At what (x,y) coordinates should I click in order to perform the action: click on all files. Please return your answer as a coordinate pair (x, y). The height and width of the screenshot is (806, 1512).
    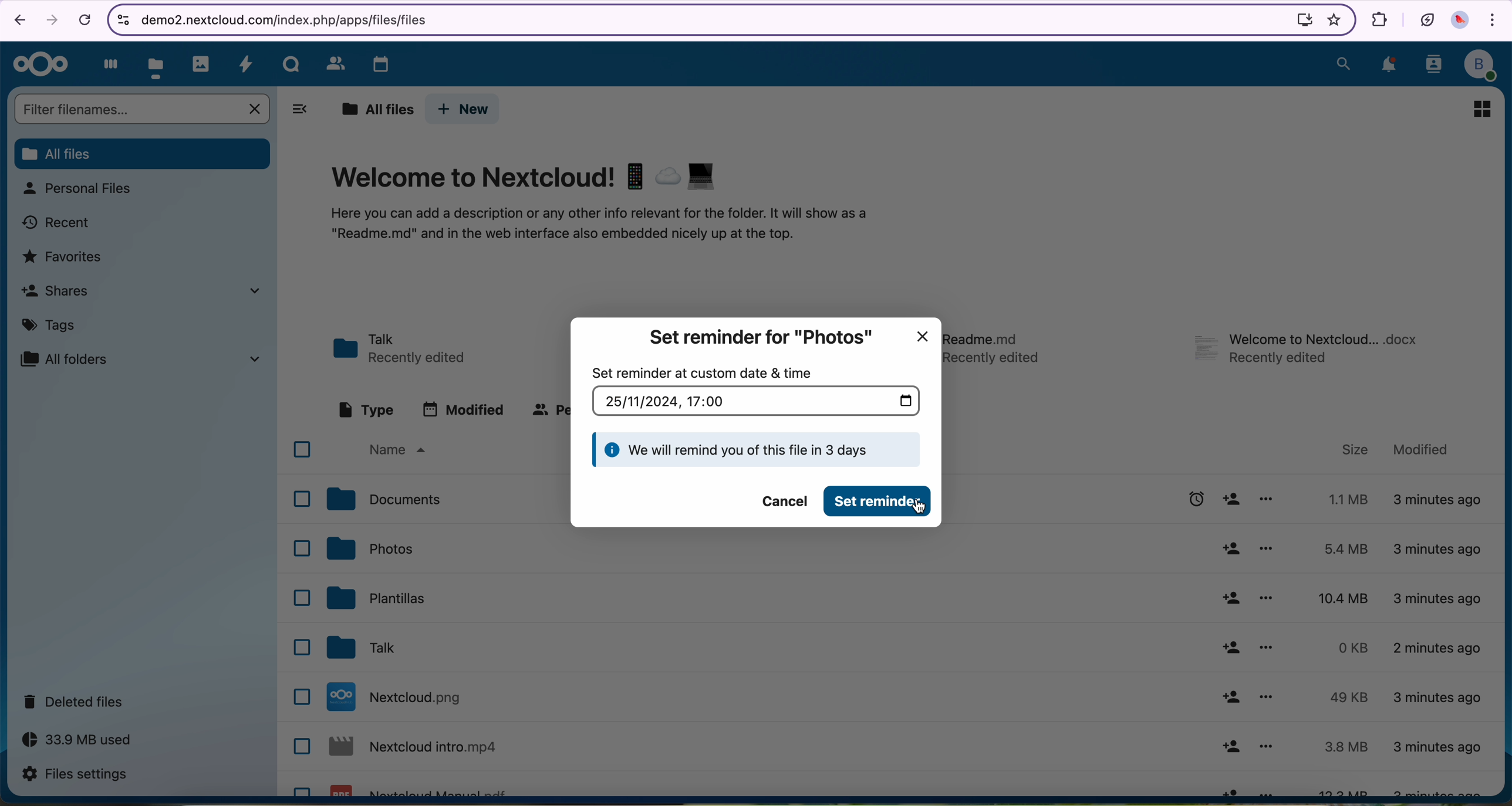
    Looking at the image, I should click on (374, 109).